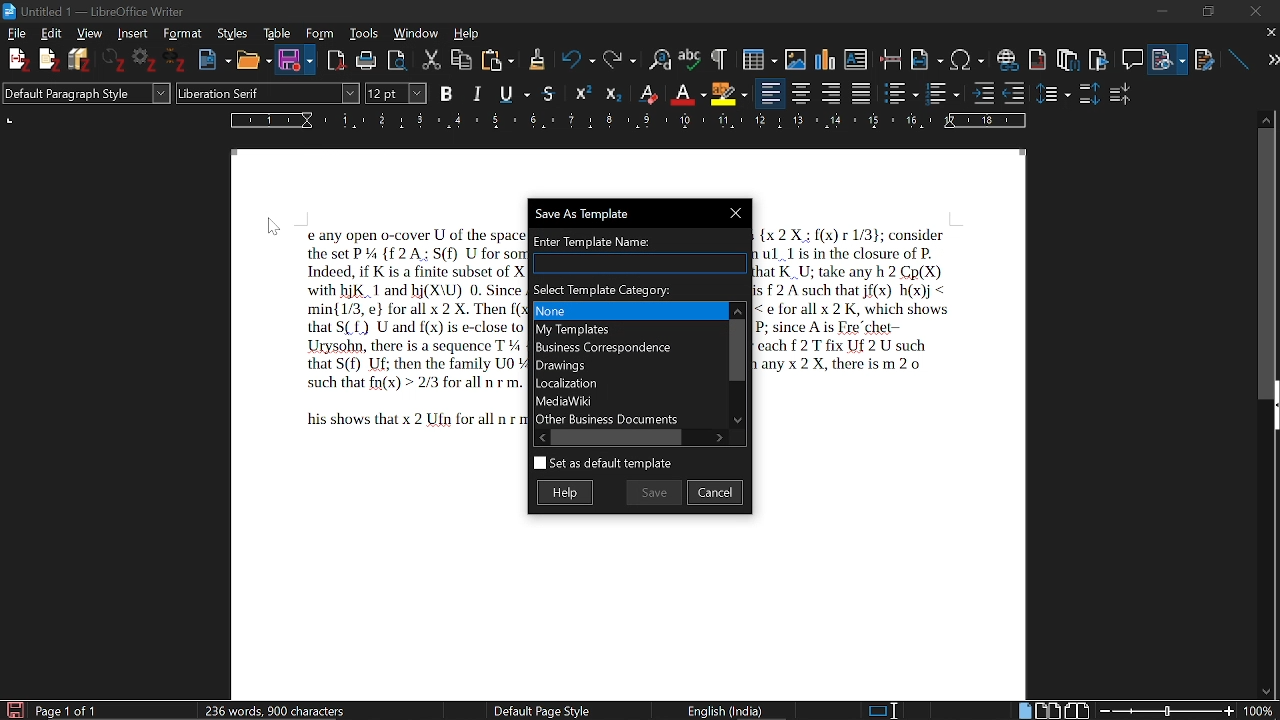 The height and width of the screenshot is (720, 1280). Describe the element at coordinates (402, 58) in the screenshot. I see `Toggle print preview` at that location.